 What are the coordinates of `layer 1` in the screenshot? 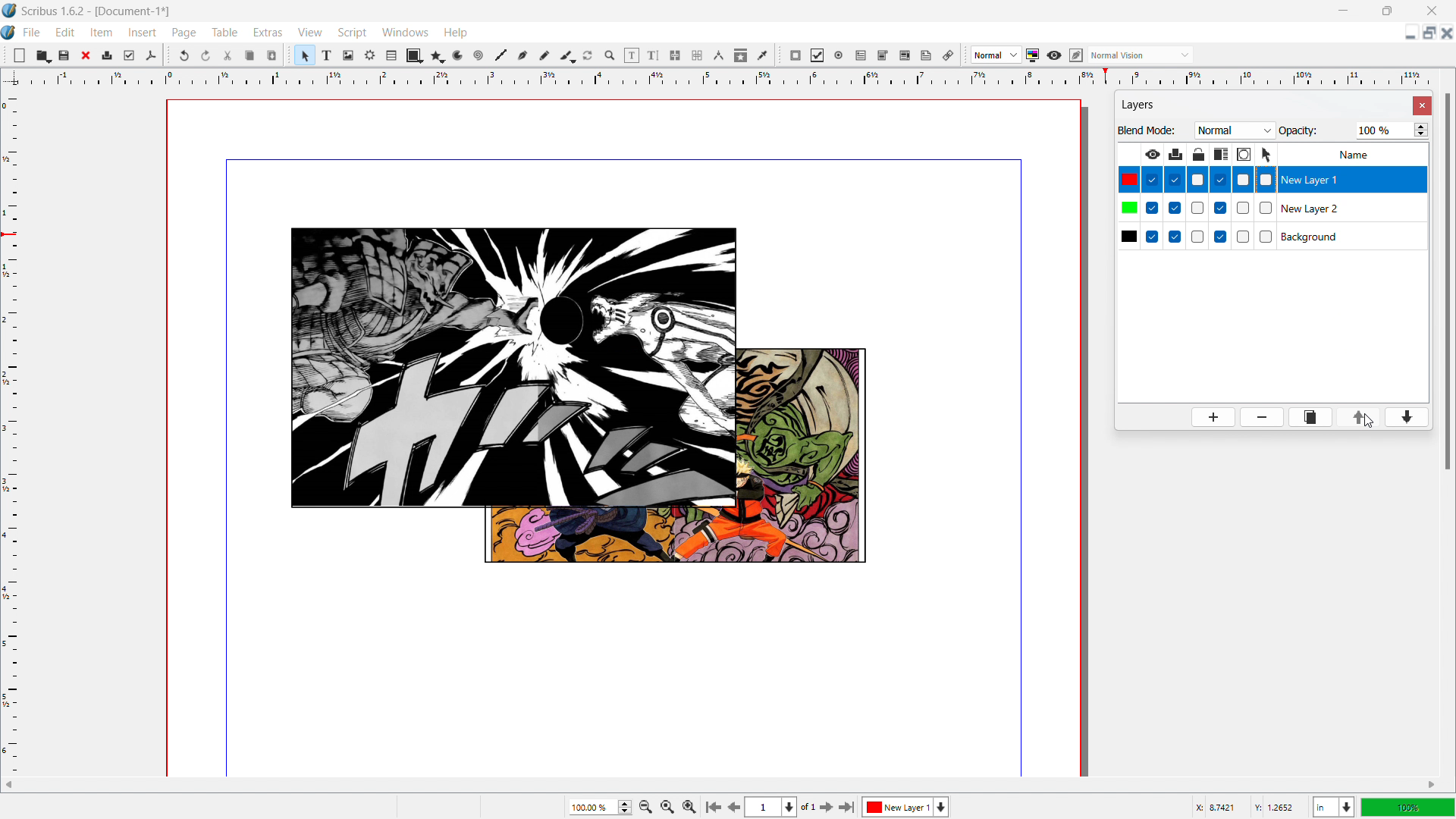 It's located at (1351, 208).